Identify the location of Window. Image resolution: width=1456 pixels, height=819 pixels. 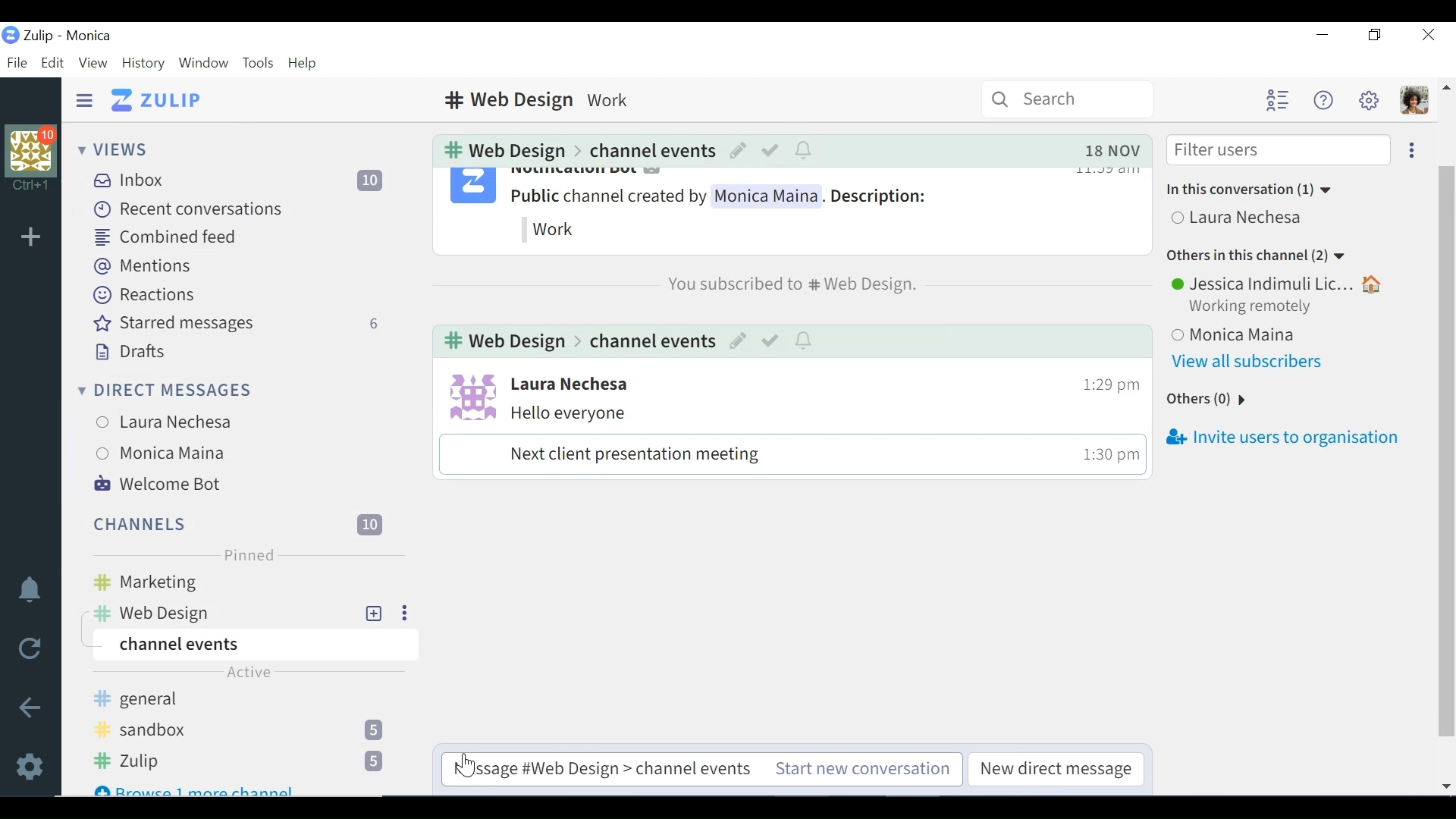
(202, 63).